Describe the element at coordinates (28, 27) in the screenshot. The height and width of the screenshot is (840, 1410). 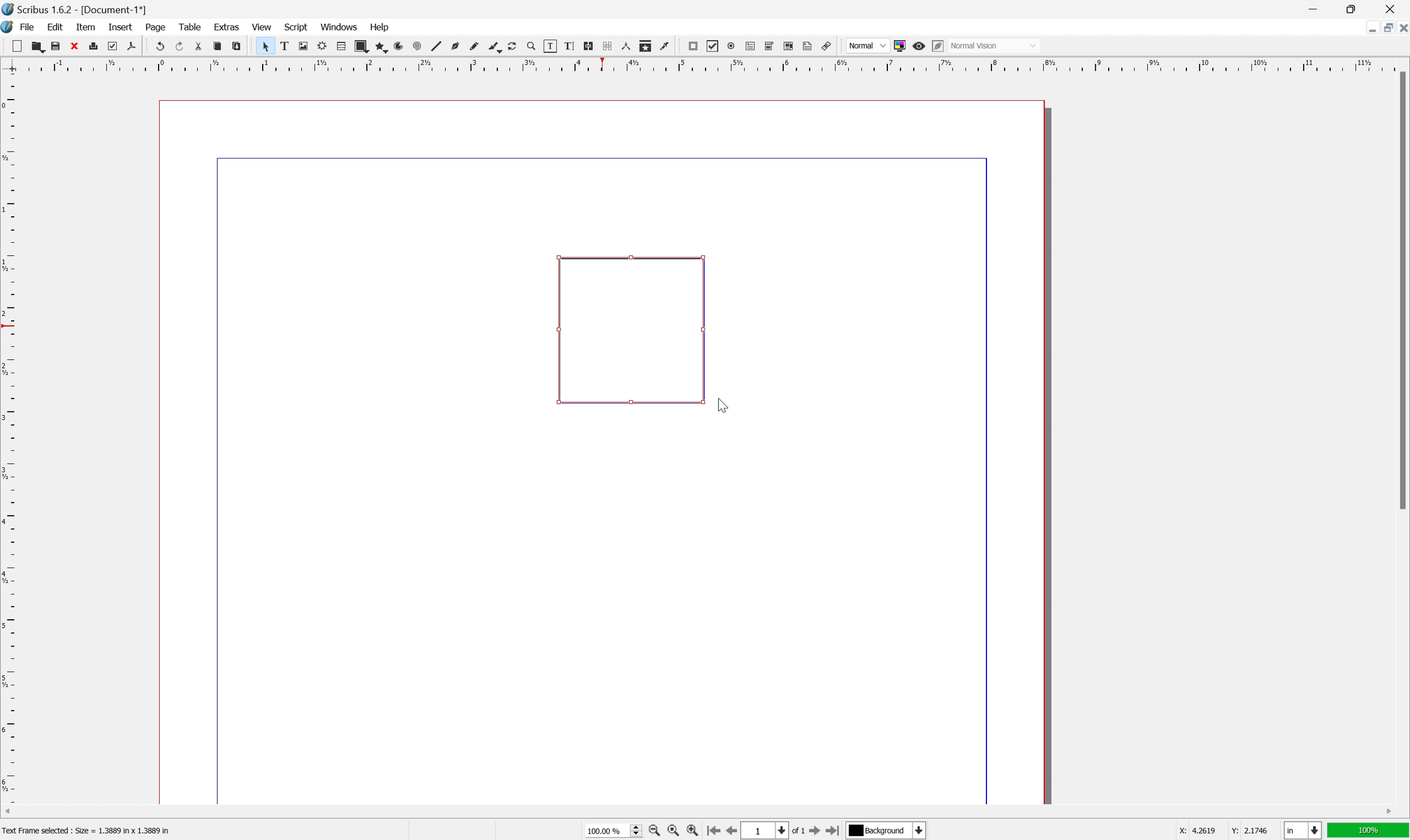
I see `File` at that location.